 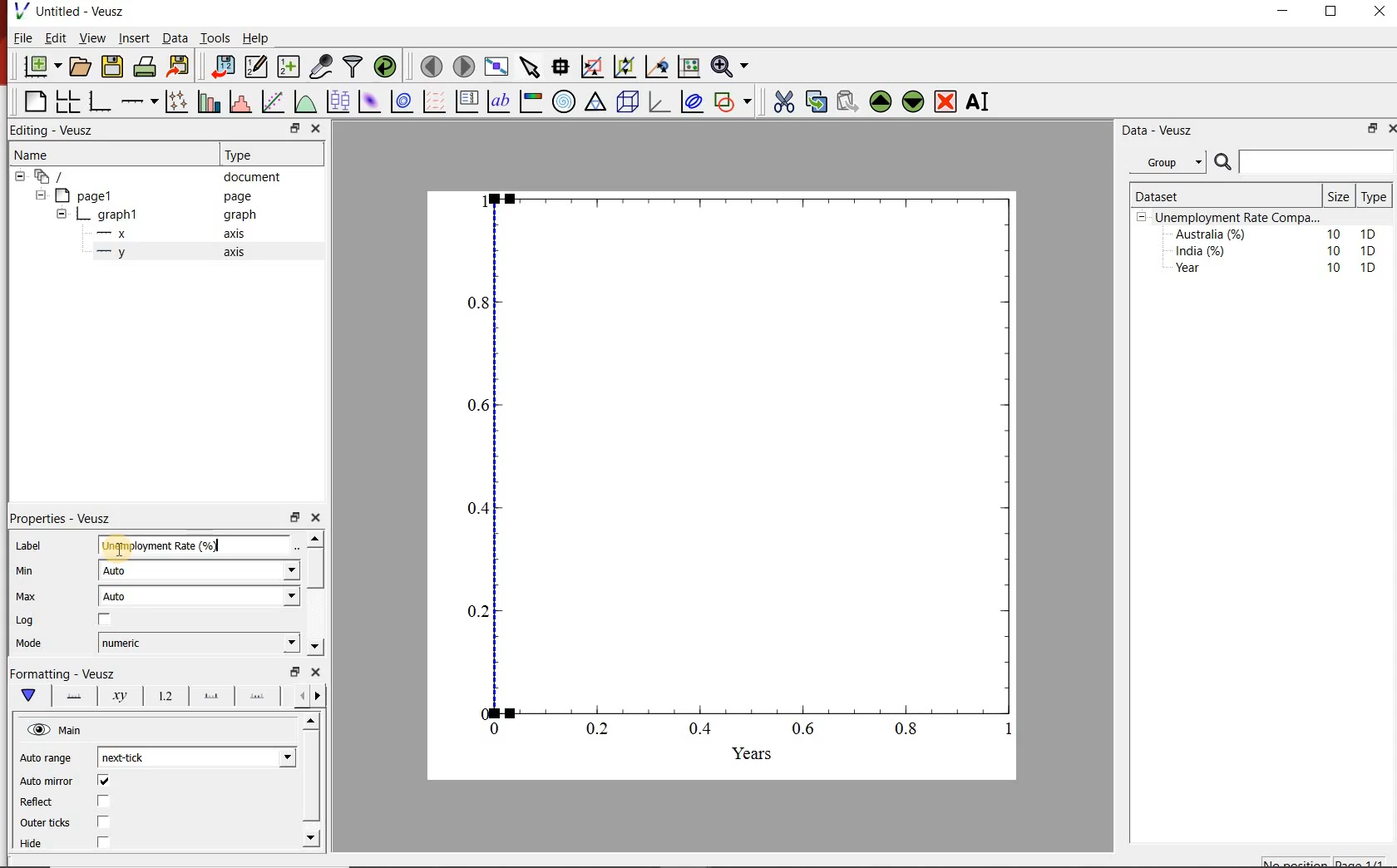 I want to click on remove the widgets, so click(x=945, y=101).